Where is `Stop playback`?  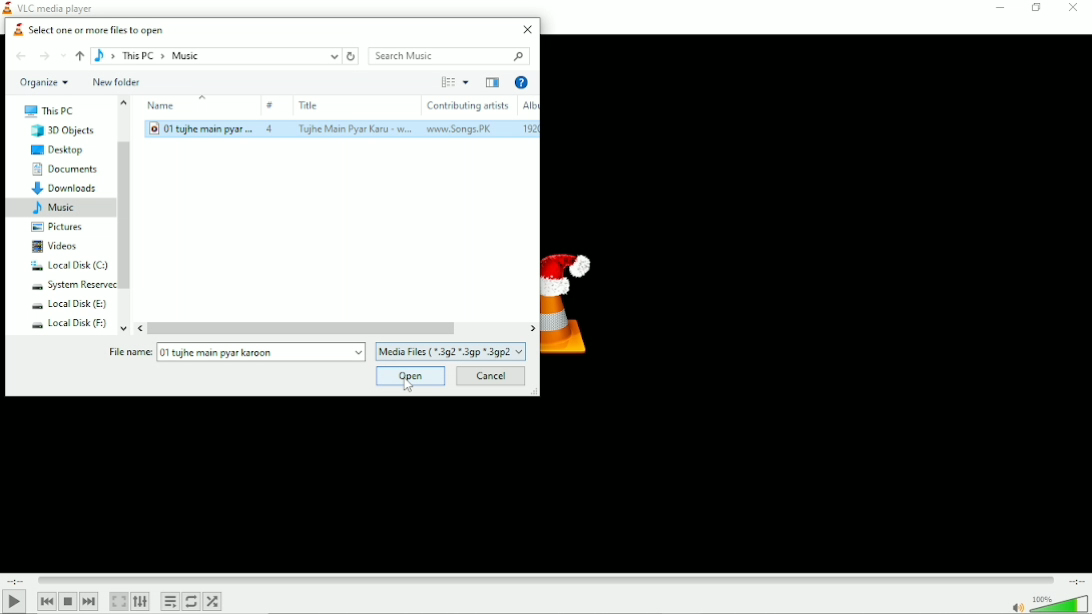 Stop playback is located at coordinates (68, 601).